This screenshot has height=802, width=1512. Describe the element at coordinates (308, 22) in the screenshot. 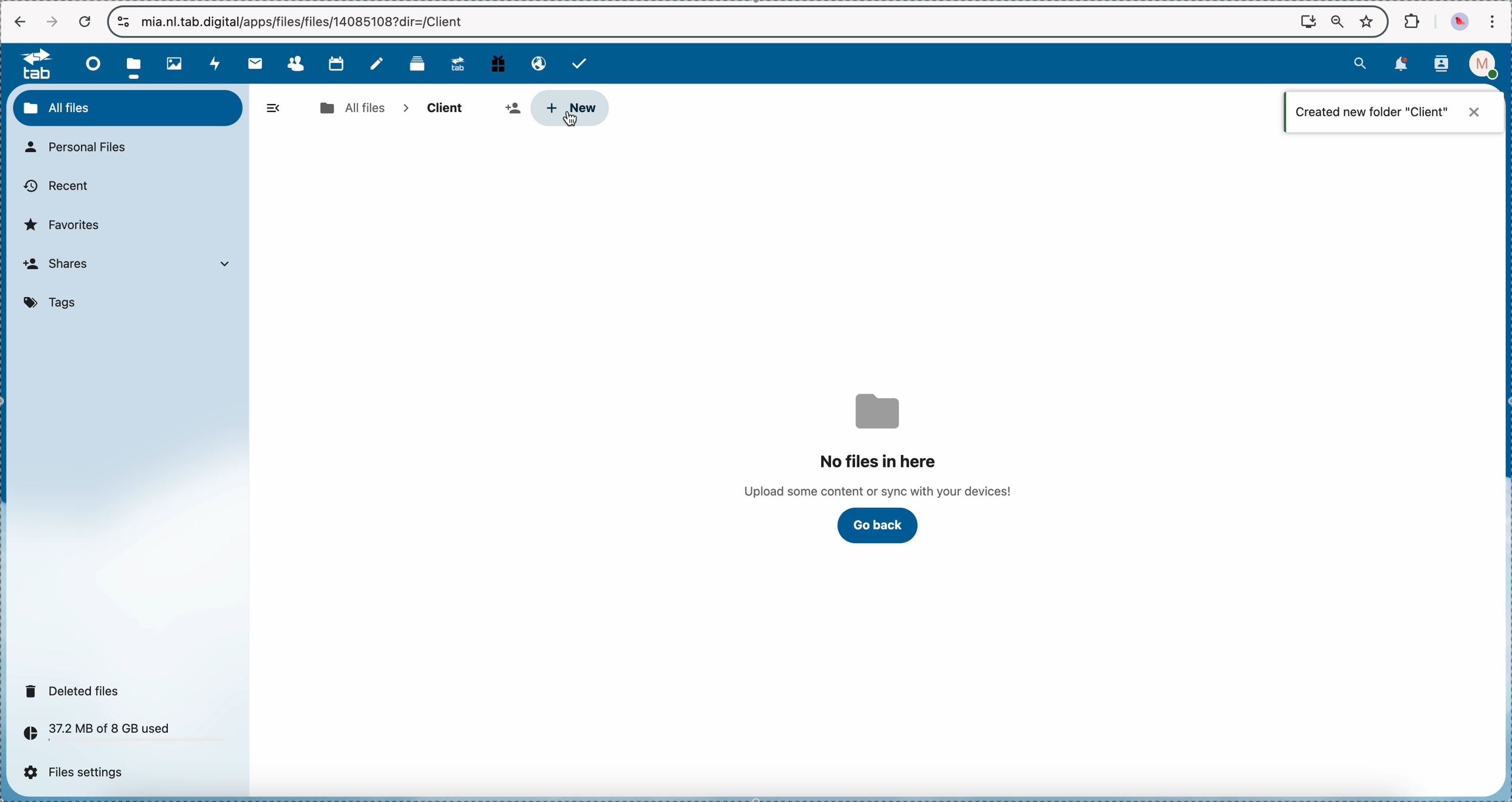

I see `url` at that location.